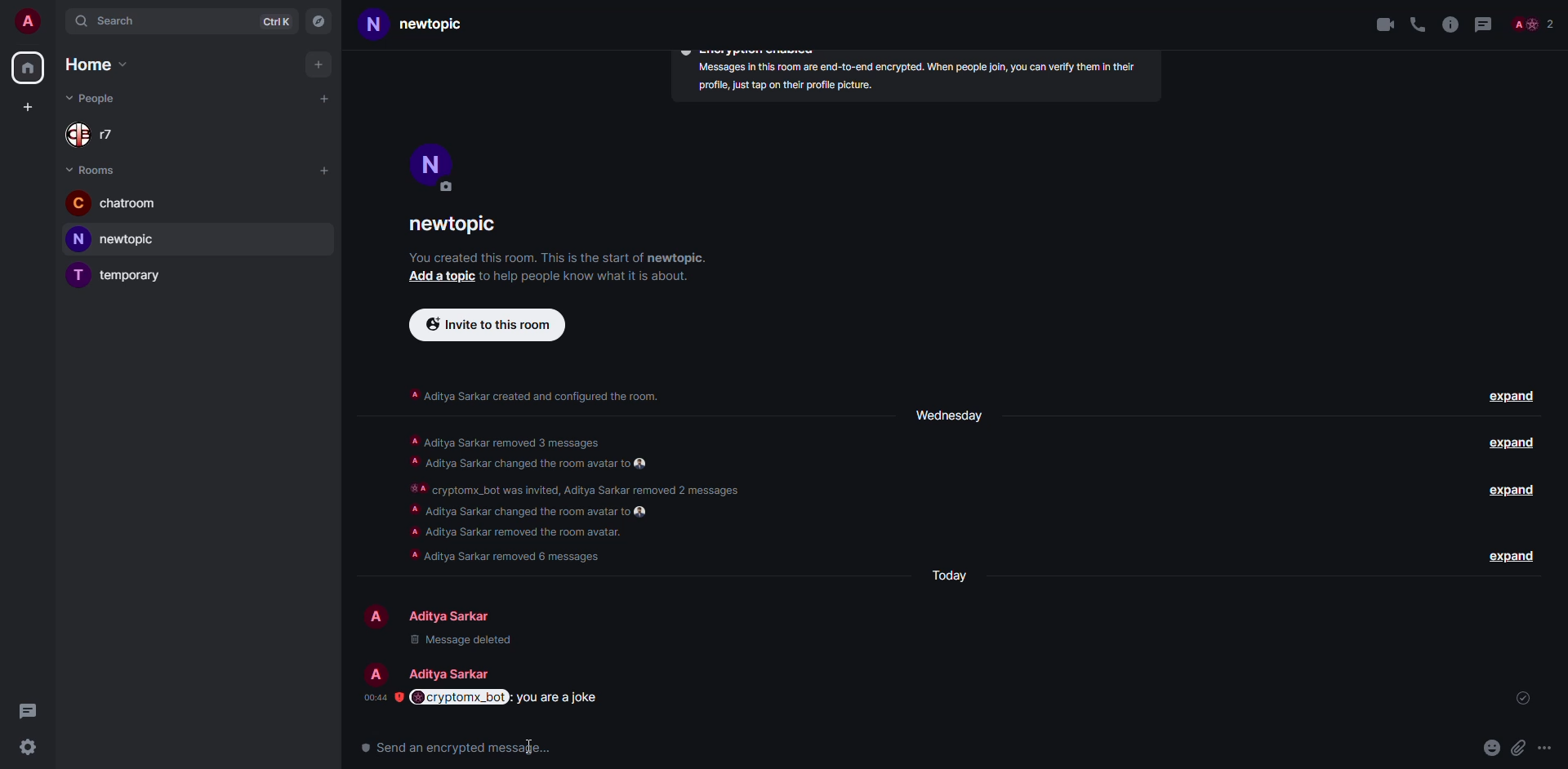 Image resolution: width=1568 pixels, height=769 pixels. Describe the element at coordinates (28, 21) in the screenshot. I see `profile` at that location.